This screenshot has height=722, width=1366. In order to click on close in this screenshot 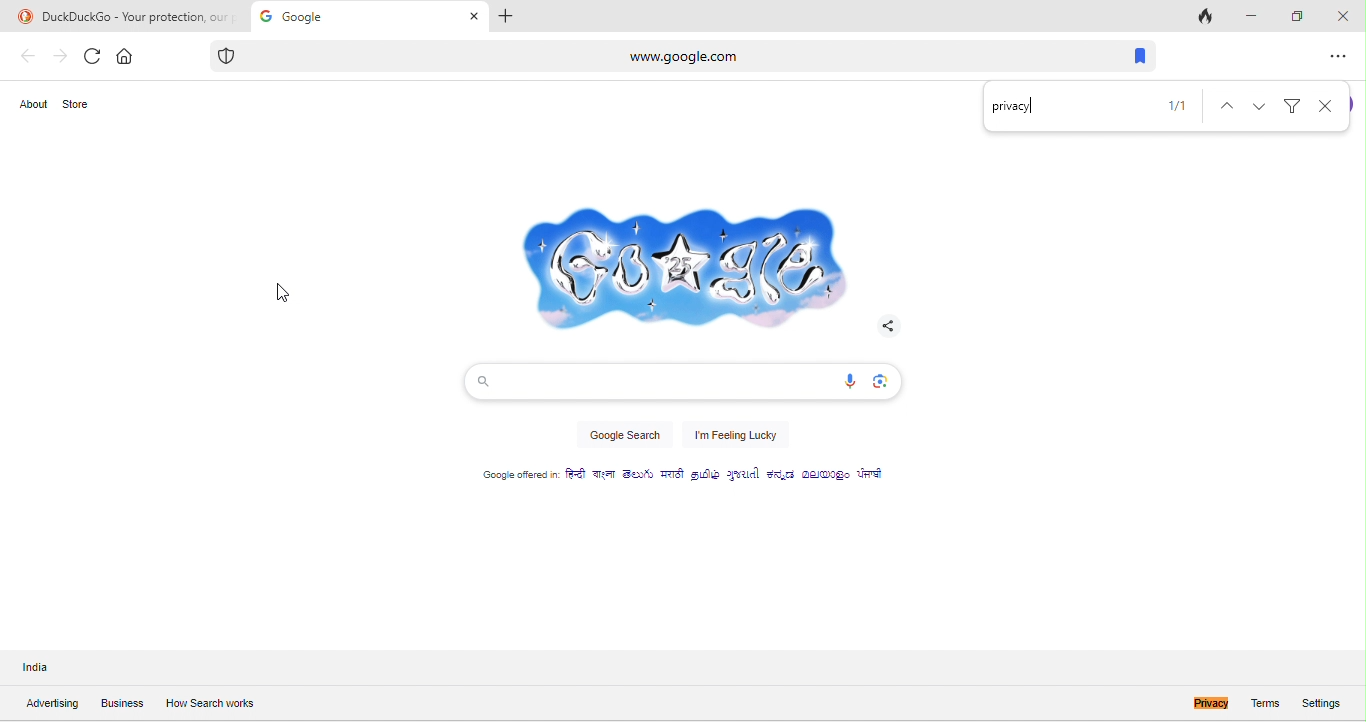, I will do `click(1342, 14)`.